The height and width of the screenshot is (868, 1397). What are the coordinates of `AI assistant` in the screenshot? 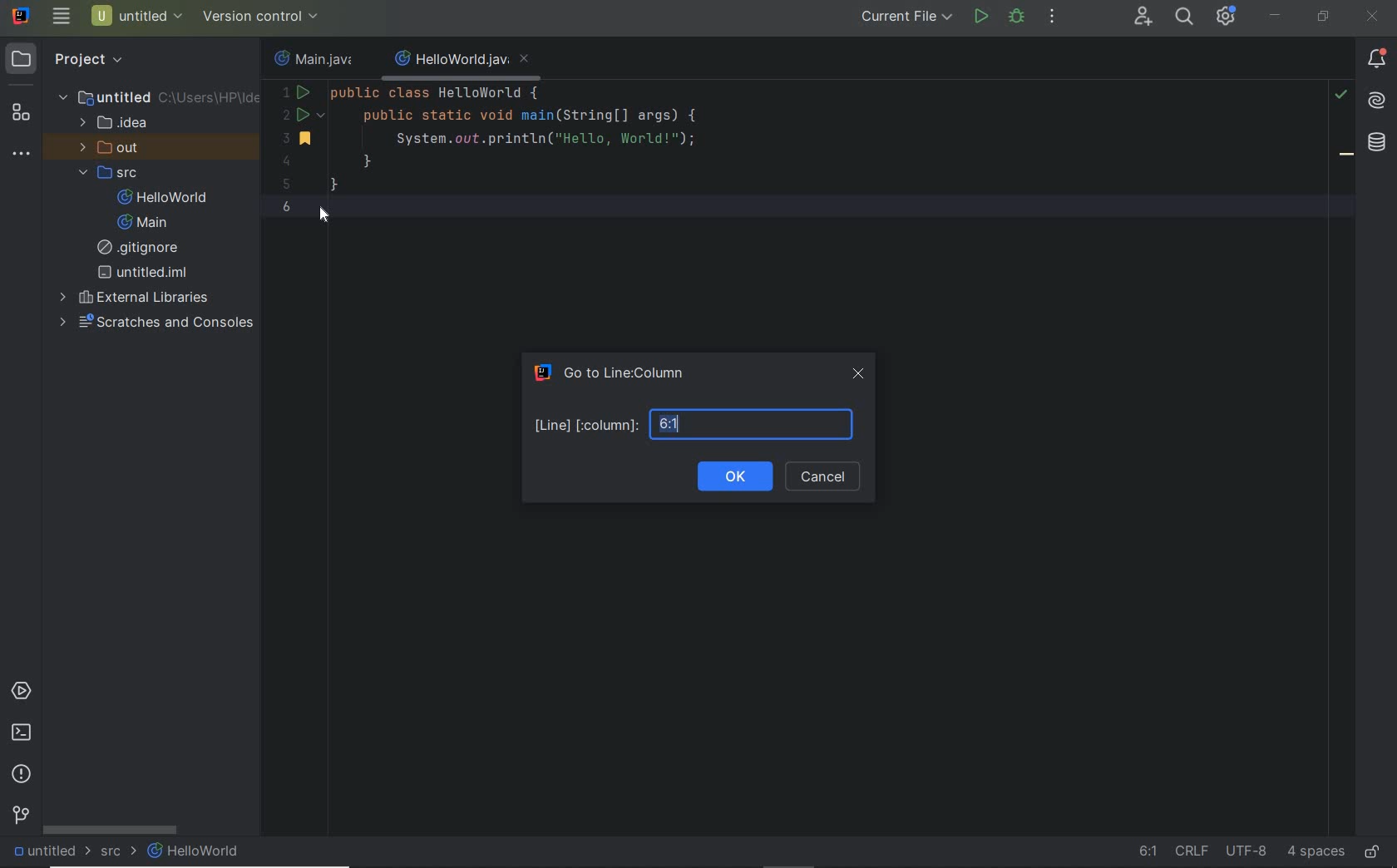 It's located at (1375, 101).